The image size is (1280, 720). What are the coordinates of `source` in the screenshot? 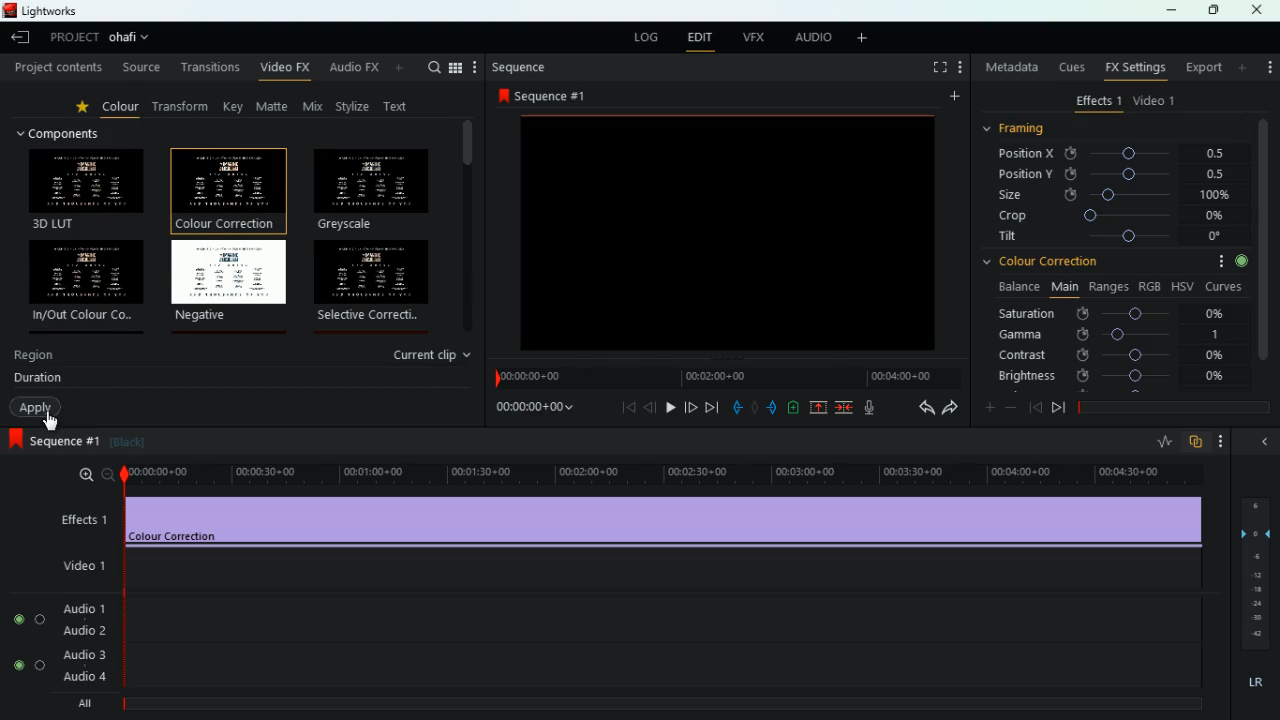 It's located at (140, 67).